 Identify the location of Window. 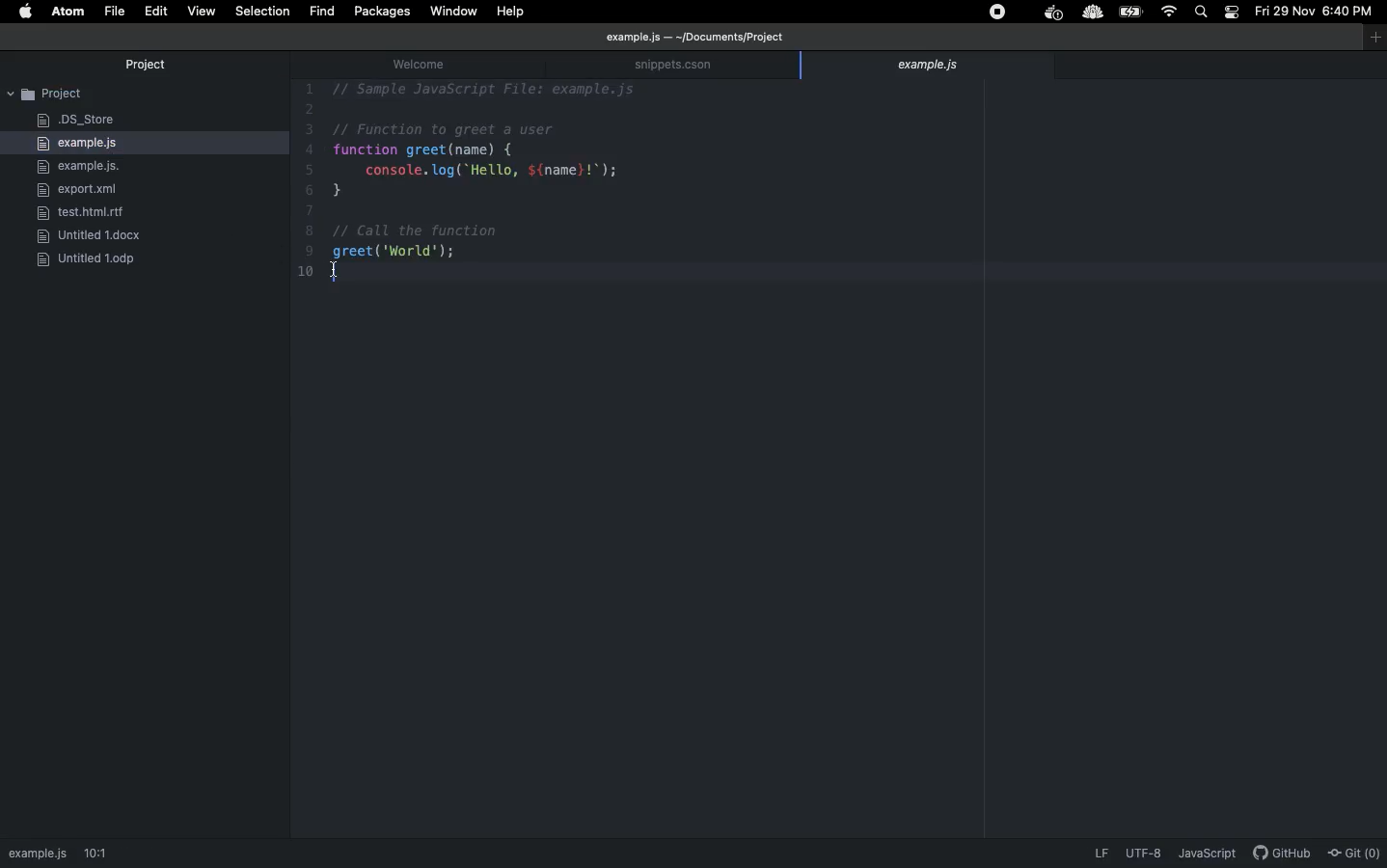
(457, 12).